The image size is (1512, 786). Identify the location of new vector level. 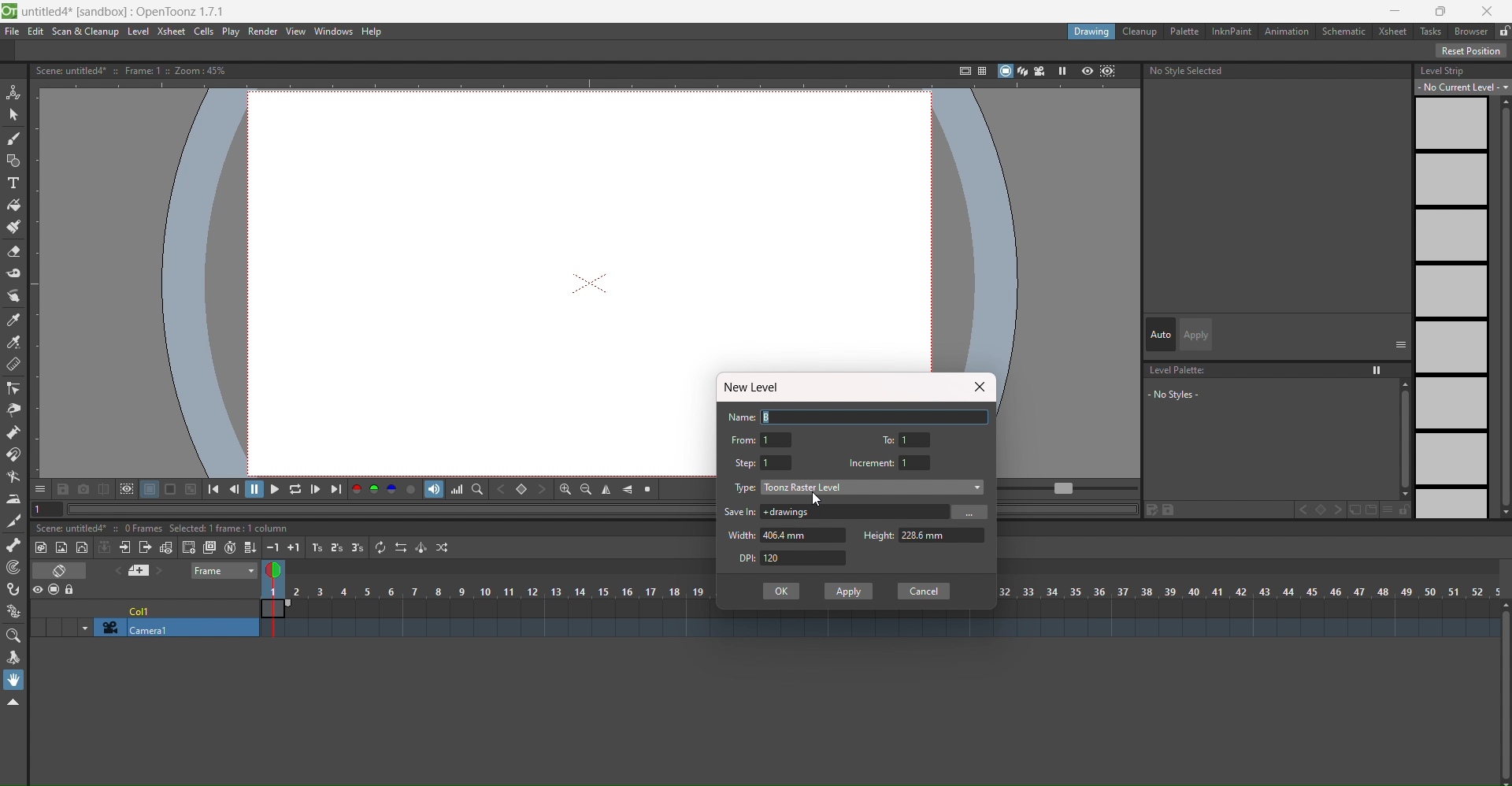
(83, 547).